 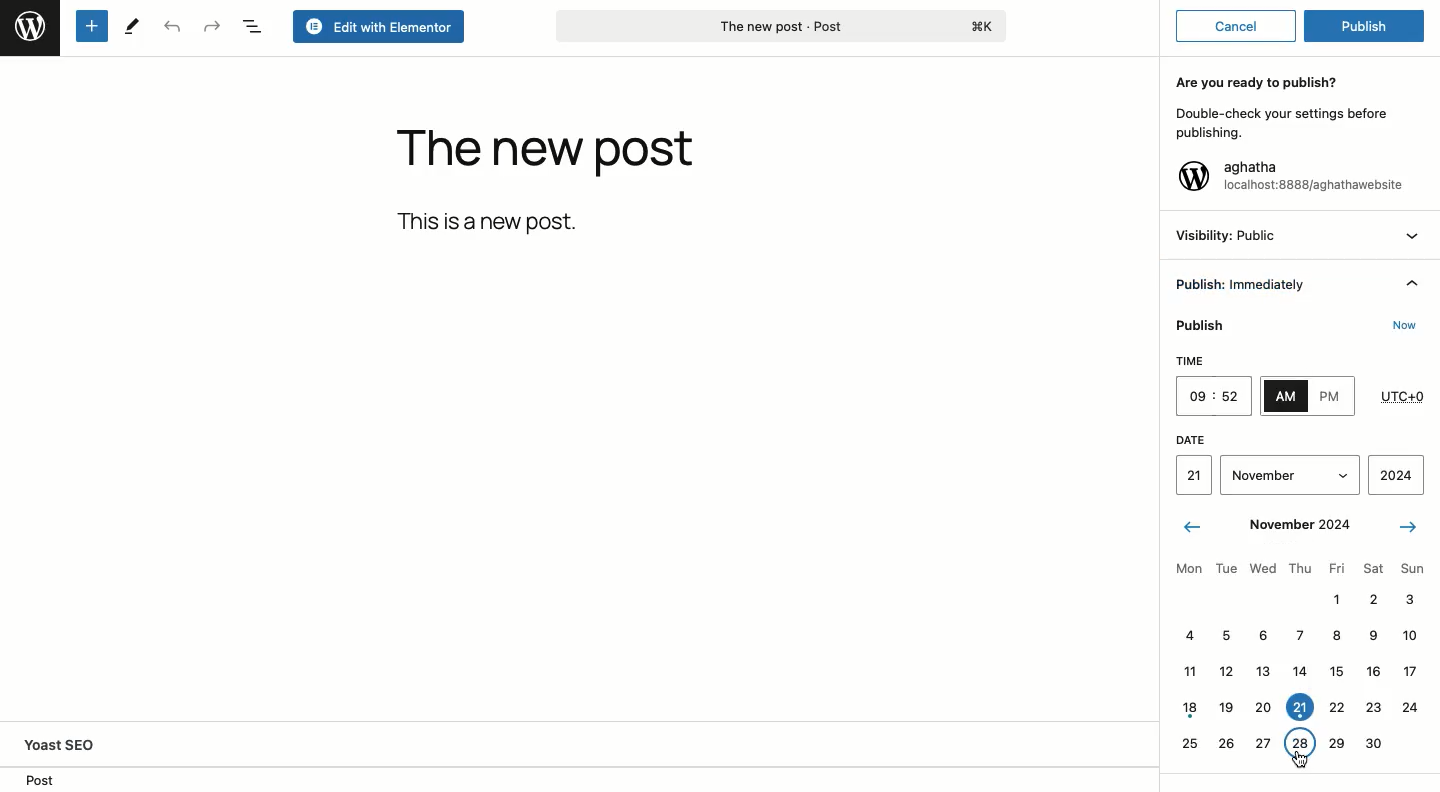 What do you see at coordinates (1314, 178) in the screenshot?
I see `aghatha localhost:8888/aghathawebsite` at bounding box center [1314, 178].